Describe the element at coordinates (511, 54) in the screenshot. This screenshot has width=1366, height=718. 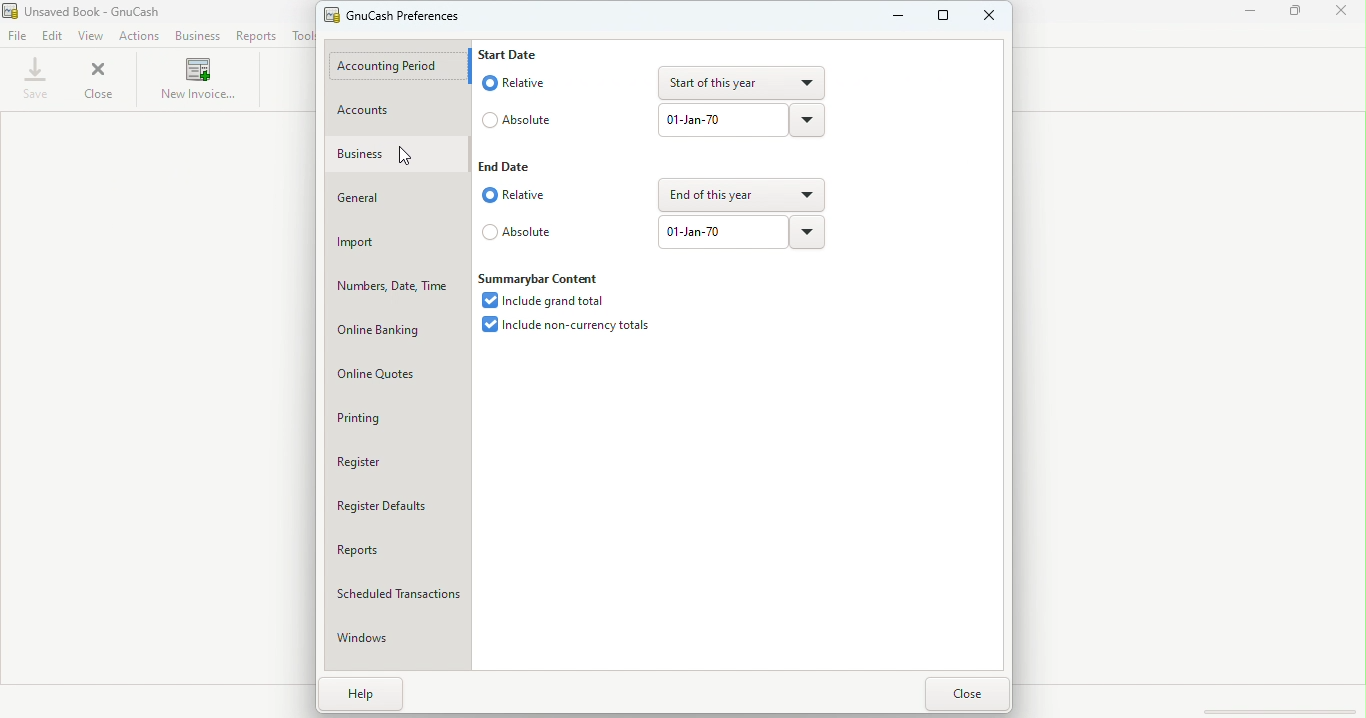
I see `Start date` at that location.